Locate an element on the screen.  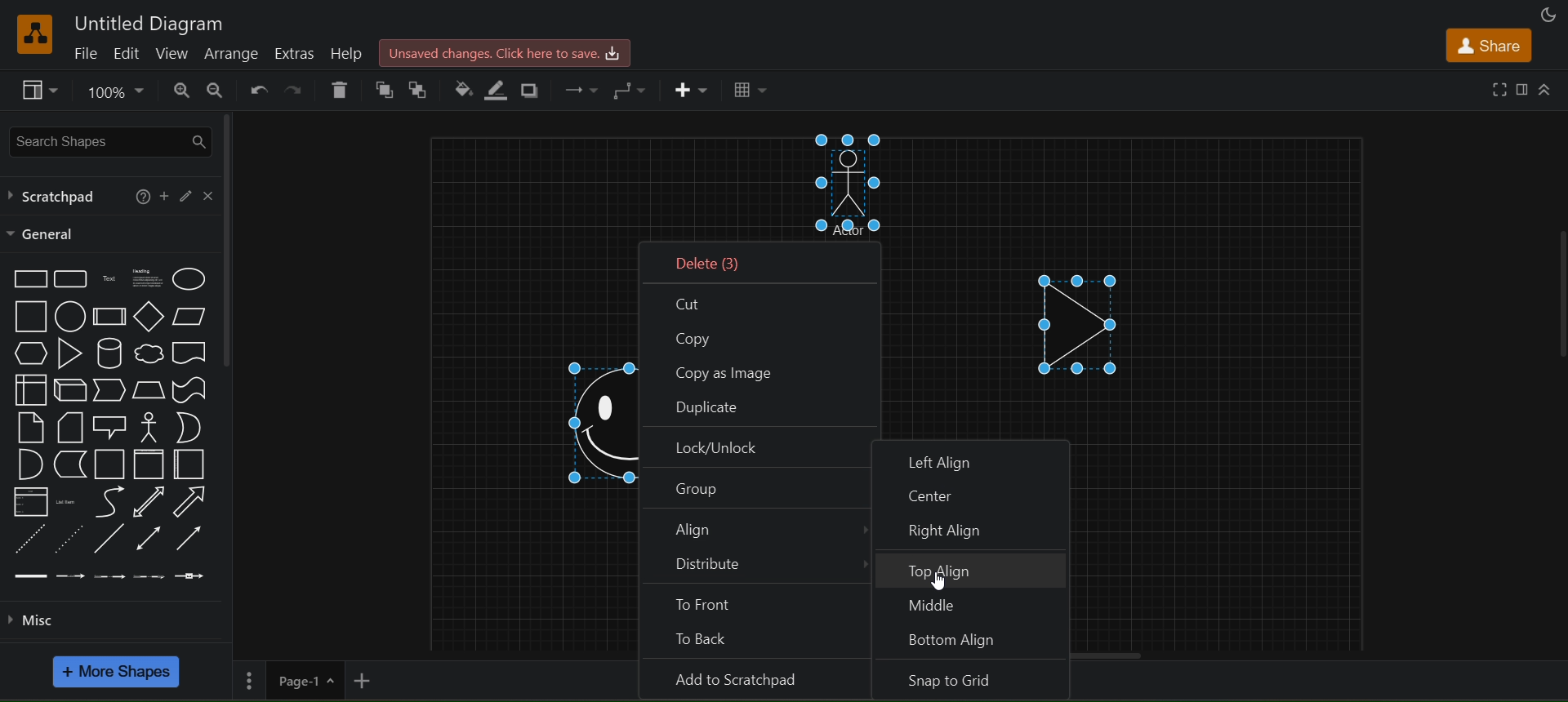
cloud is located at coordinates (149, 353).